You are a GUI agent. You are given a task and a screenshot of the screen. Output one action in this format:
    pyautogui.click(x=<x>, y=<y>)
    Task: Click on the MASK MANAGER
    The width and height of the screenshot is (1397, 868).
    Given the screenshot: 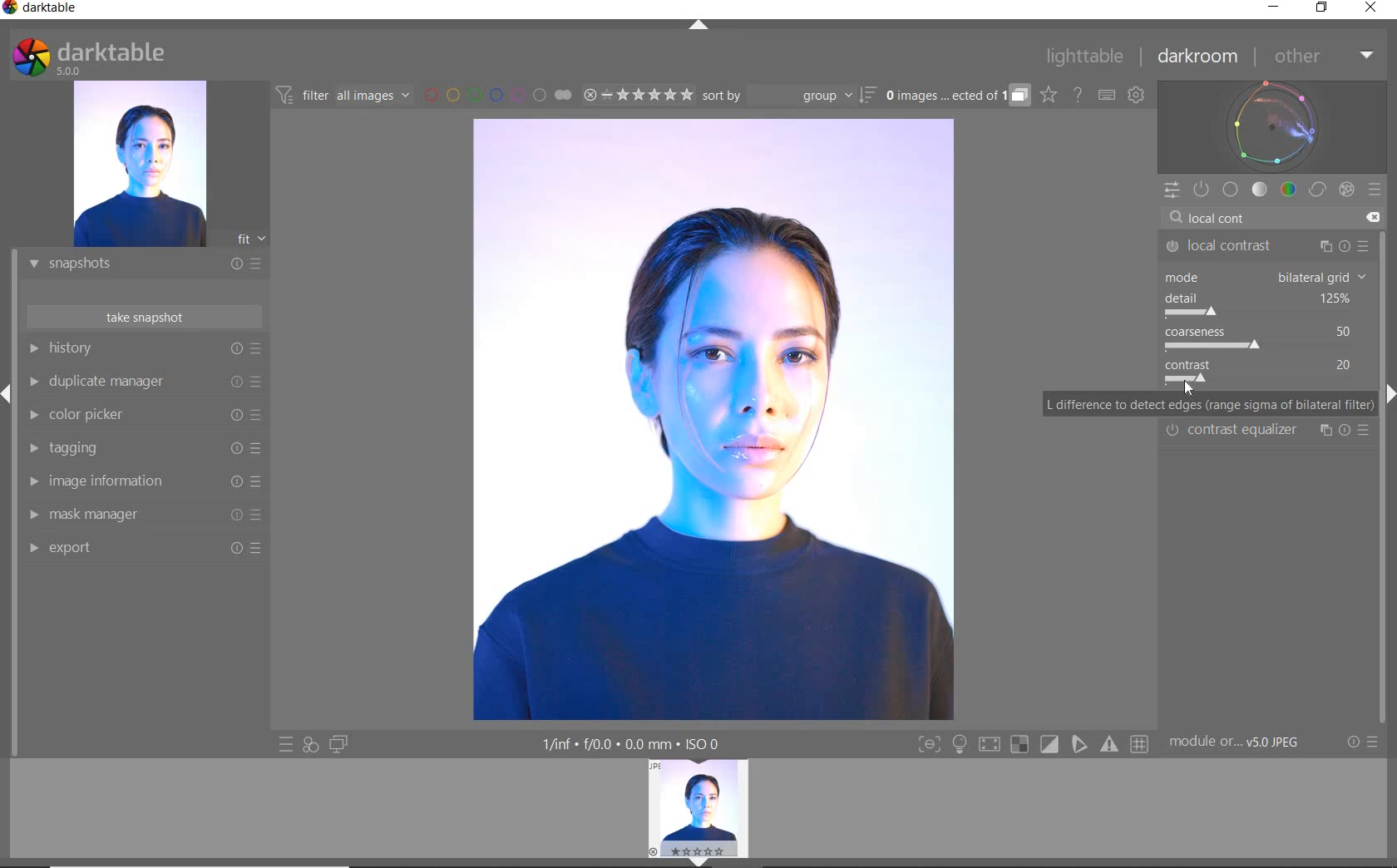 What is the action you would take?
    pyautogui.click(x=137, y=515)
    